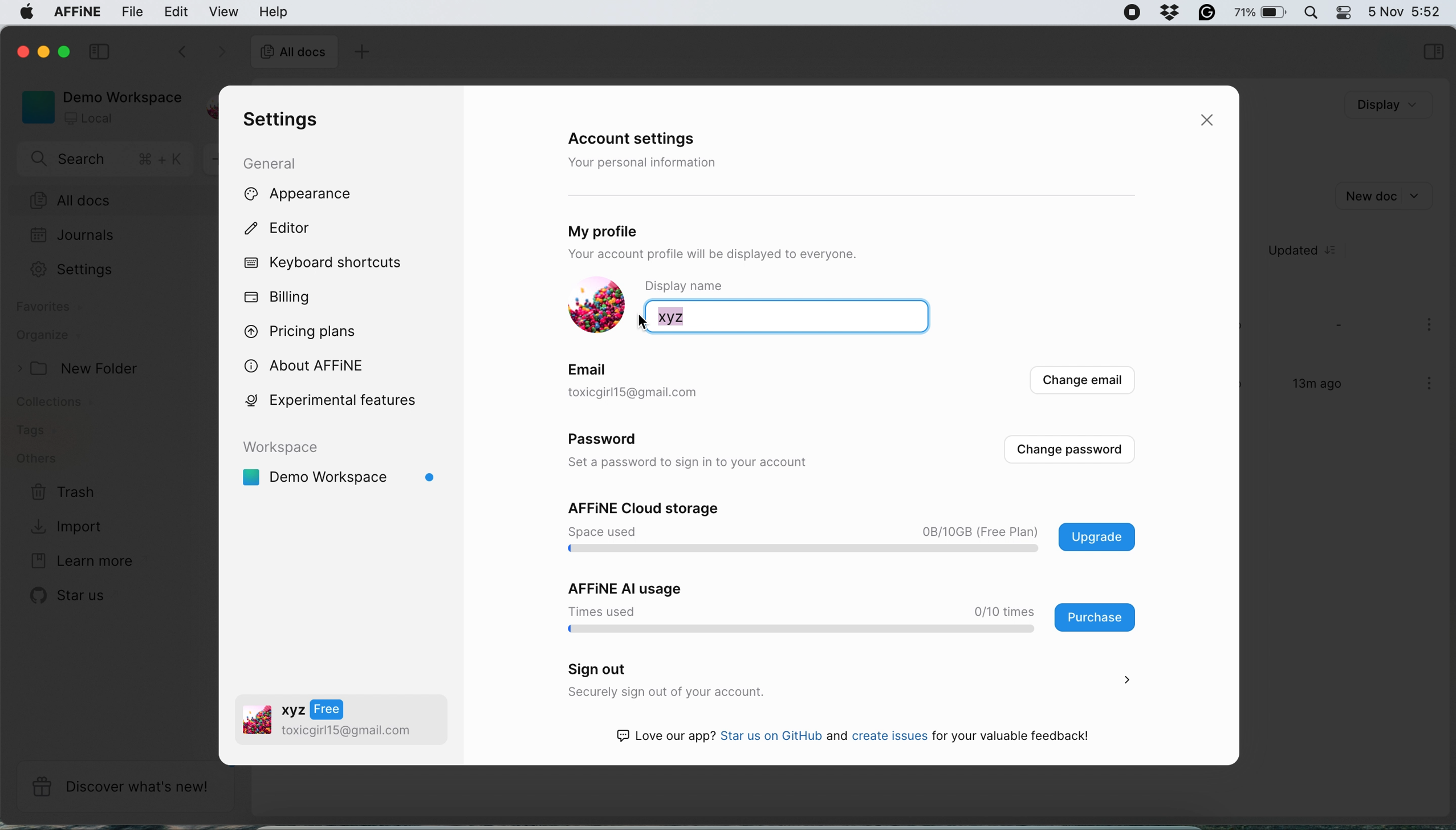 The image size is (1456, 830). What do you see at coordinates (64, 493) in the screenshot?
I see `trash` at bounding box center [64, 493].